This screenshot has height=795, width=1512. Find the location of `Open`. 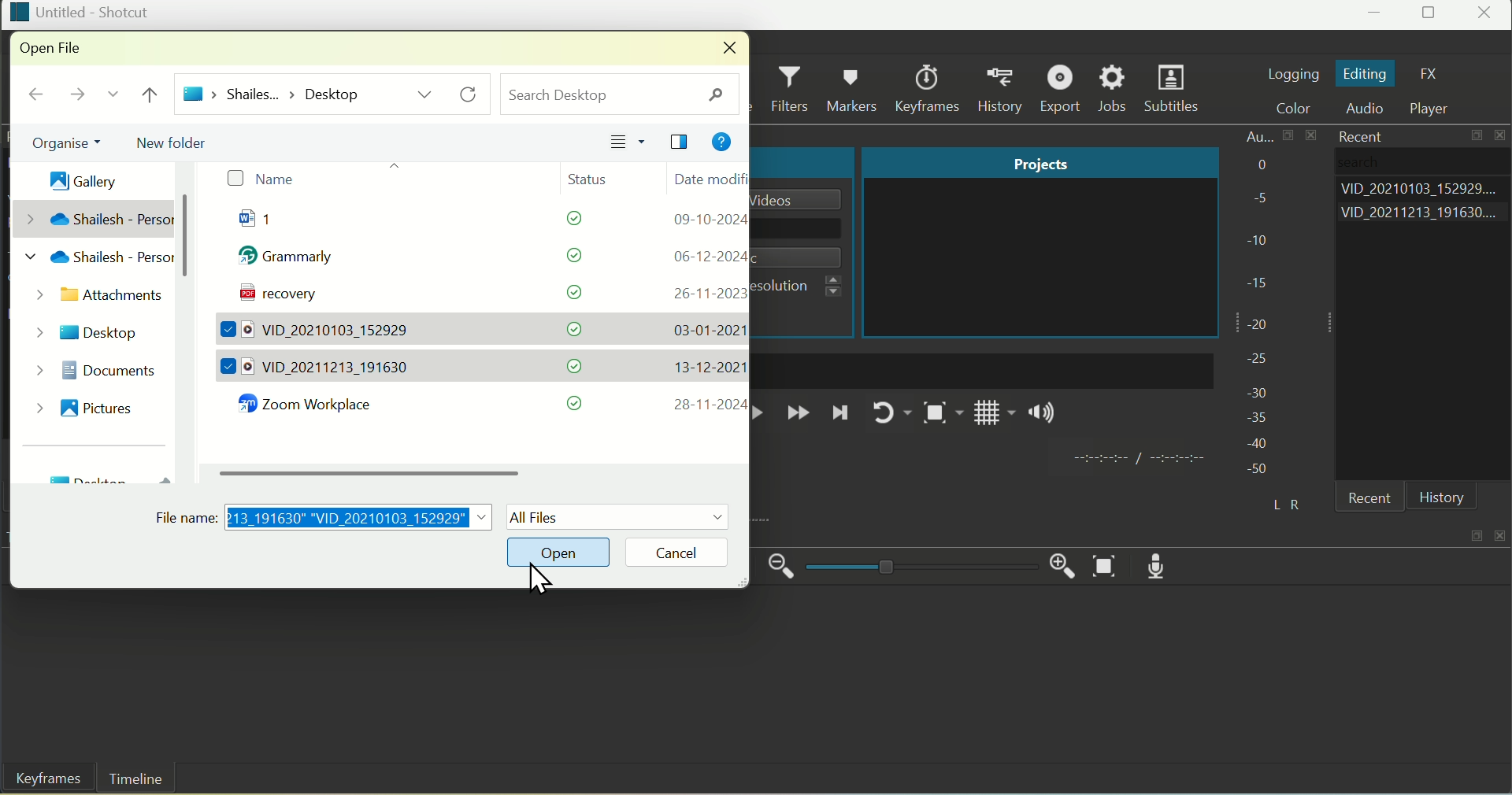

Open is located at coordinates (562, 552).